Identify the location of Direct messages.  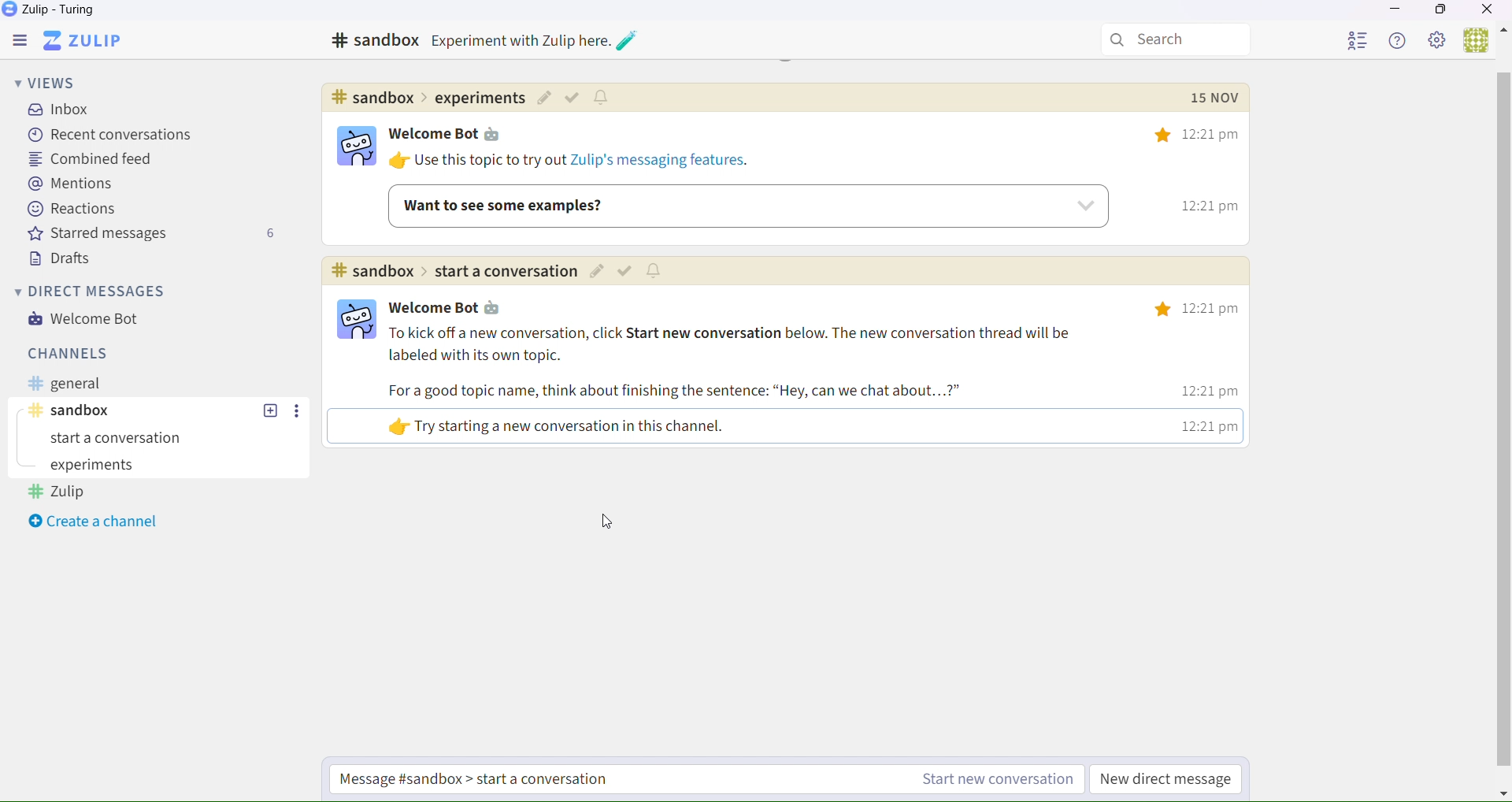
(93, 292).